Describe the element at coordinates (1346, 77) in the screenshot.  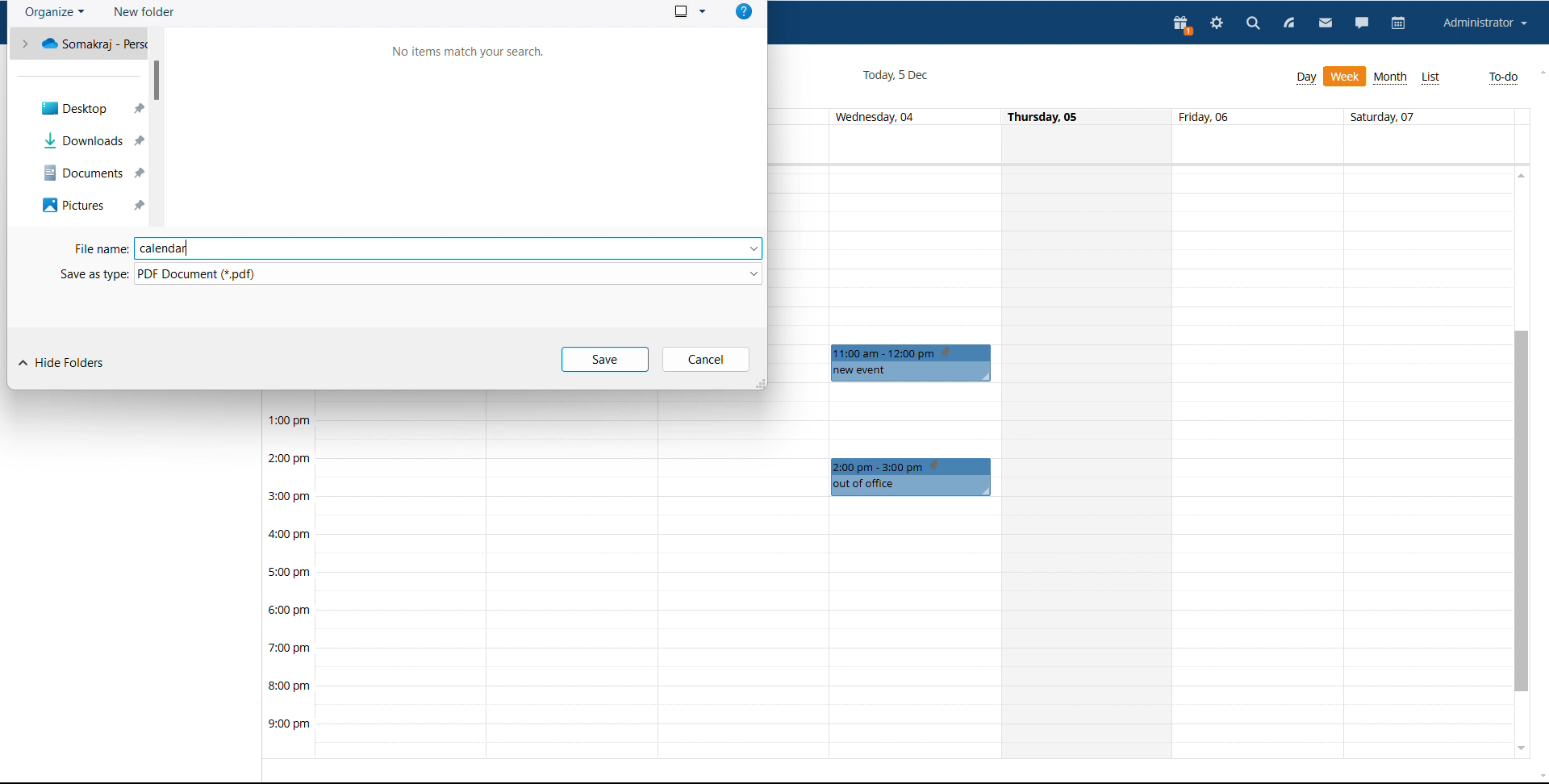
I see `week view` at that location.